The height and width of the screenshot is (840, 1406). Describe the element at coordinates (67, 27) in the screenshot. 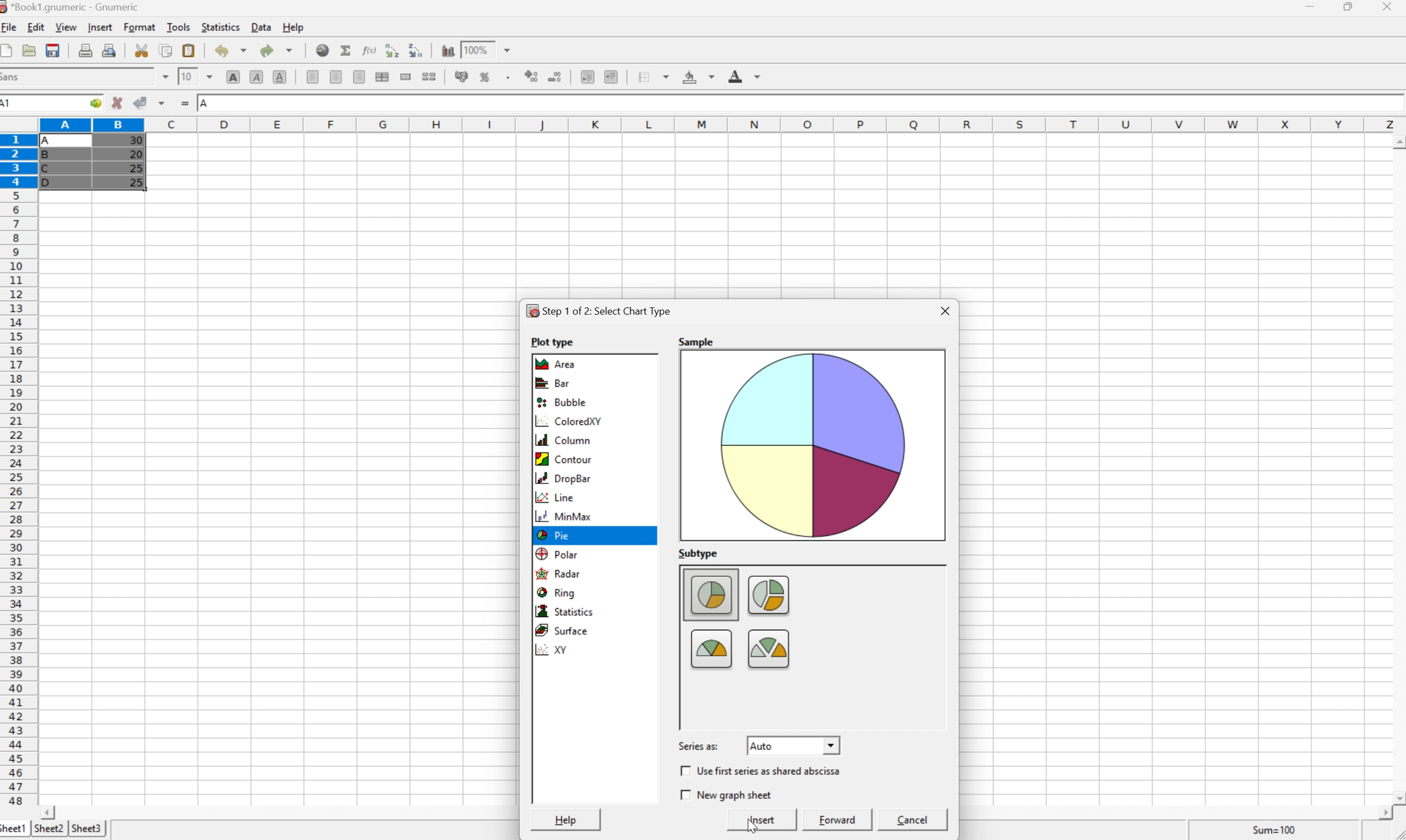

I see `View` at that location.